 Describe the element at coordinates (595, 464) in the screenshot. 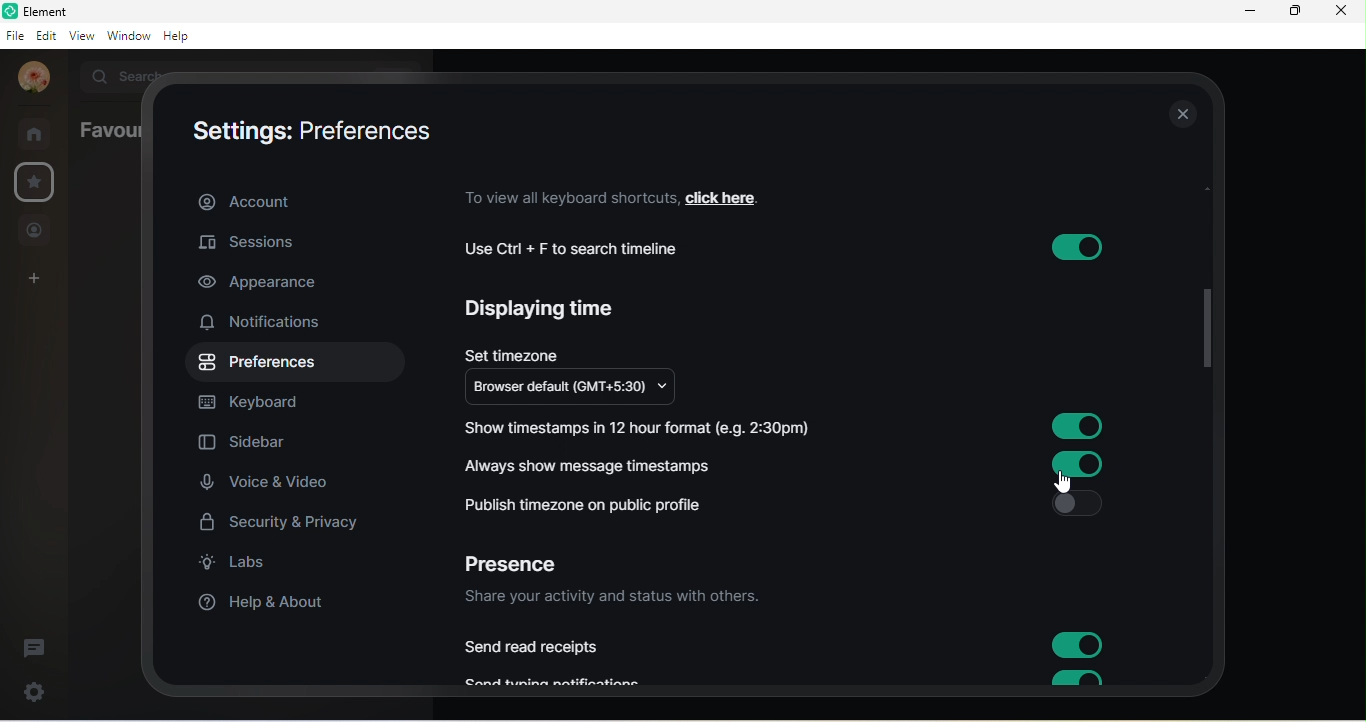

I see `always show message timestamps` at that location.